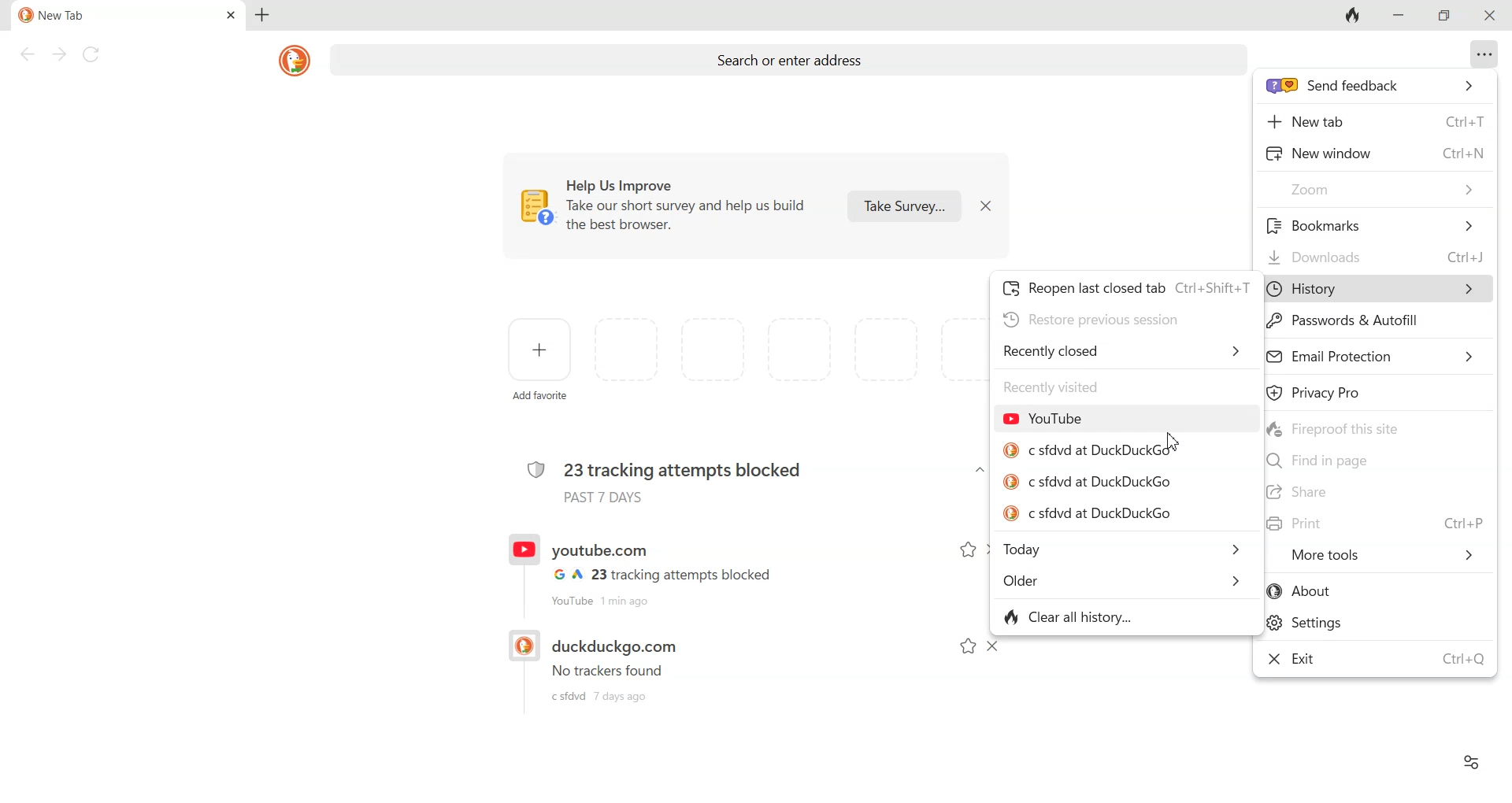 The height and width of the screenshot is (803, 1512). What do you see at coordinates (904, 205) in the screenshot?
I see `Take survey...` at bounding box center [904, 205].